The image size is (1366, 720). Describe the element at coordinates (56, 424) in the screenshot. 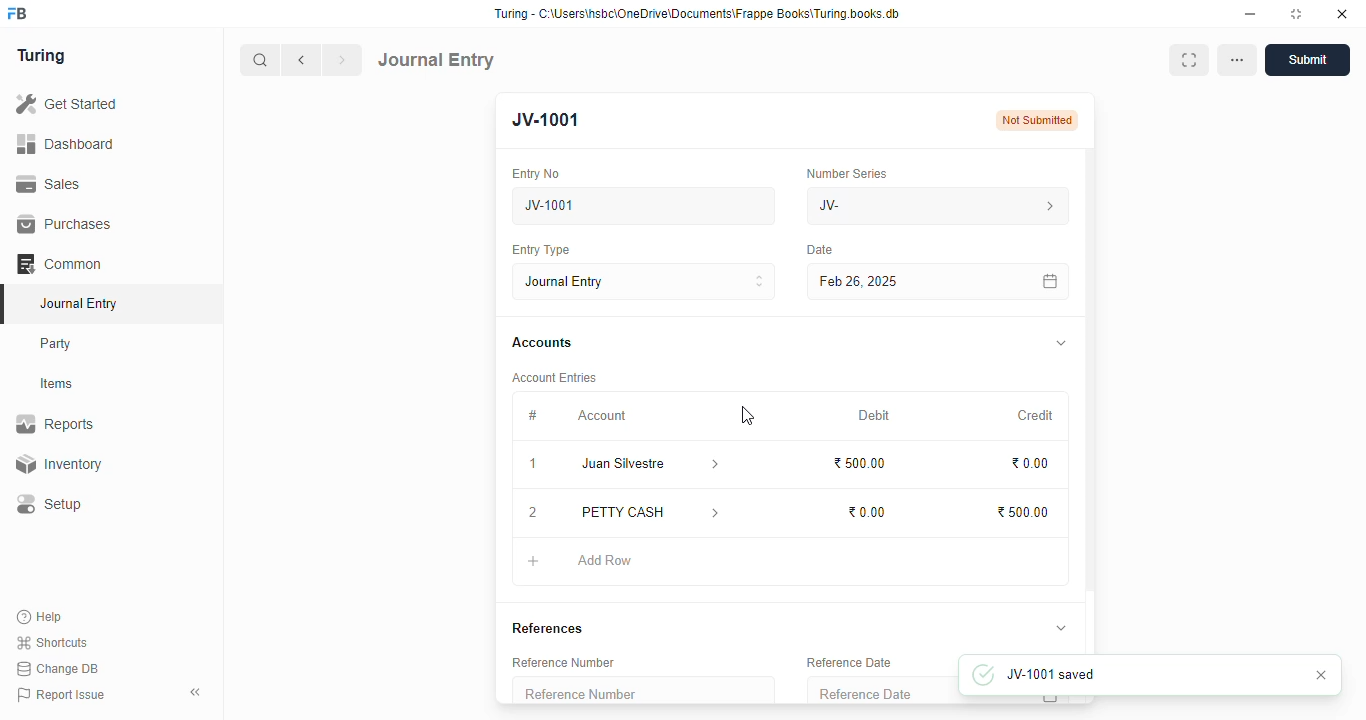

I see `reports` at that location.